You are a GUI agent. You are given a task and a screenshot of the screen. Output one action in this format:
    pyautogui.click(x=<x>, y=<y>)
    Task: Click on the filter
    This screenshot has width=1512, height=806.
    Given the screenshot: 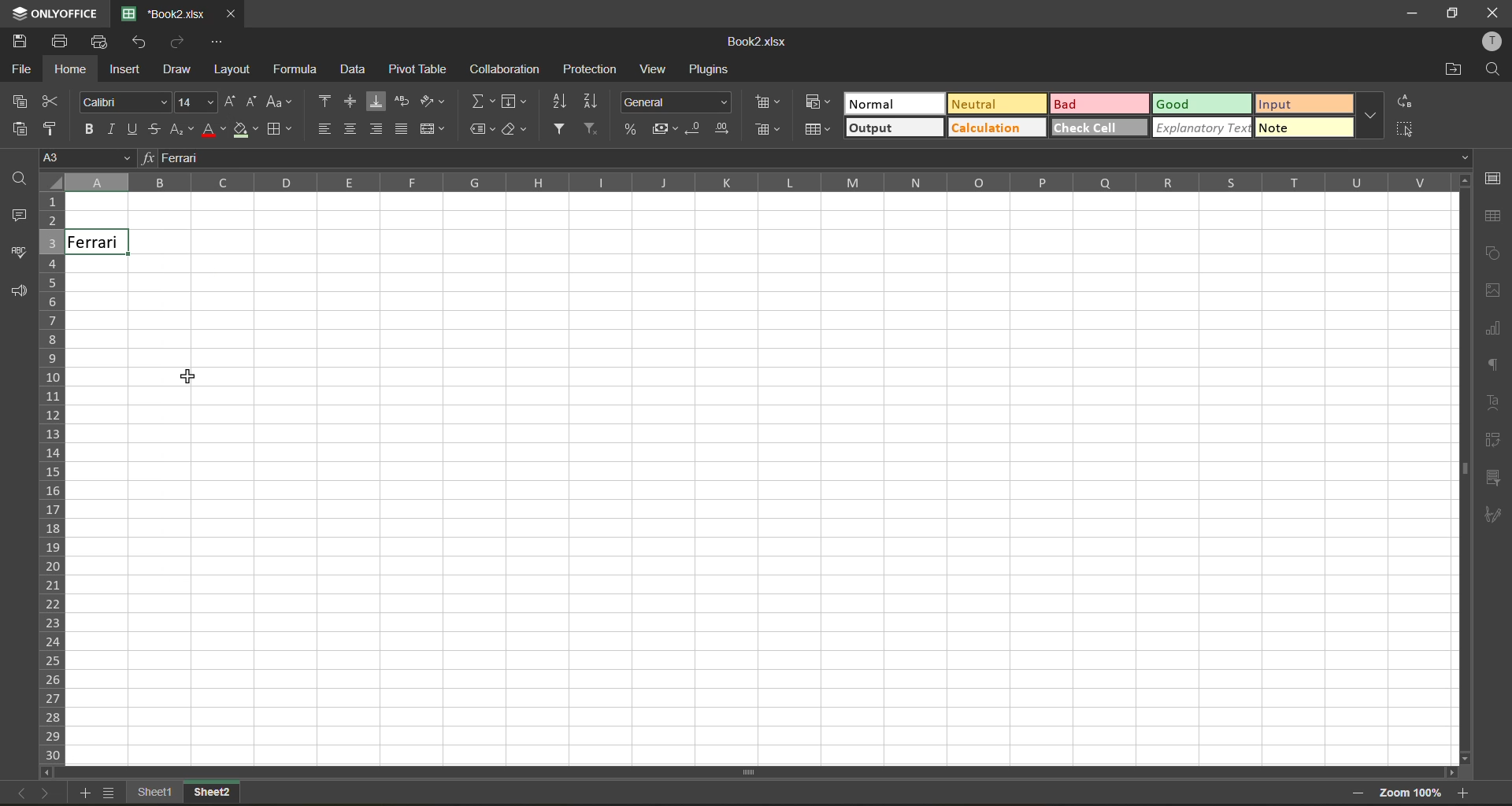 What is the action you would take?
    pyautogui.click(x=563, y=130)
    